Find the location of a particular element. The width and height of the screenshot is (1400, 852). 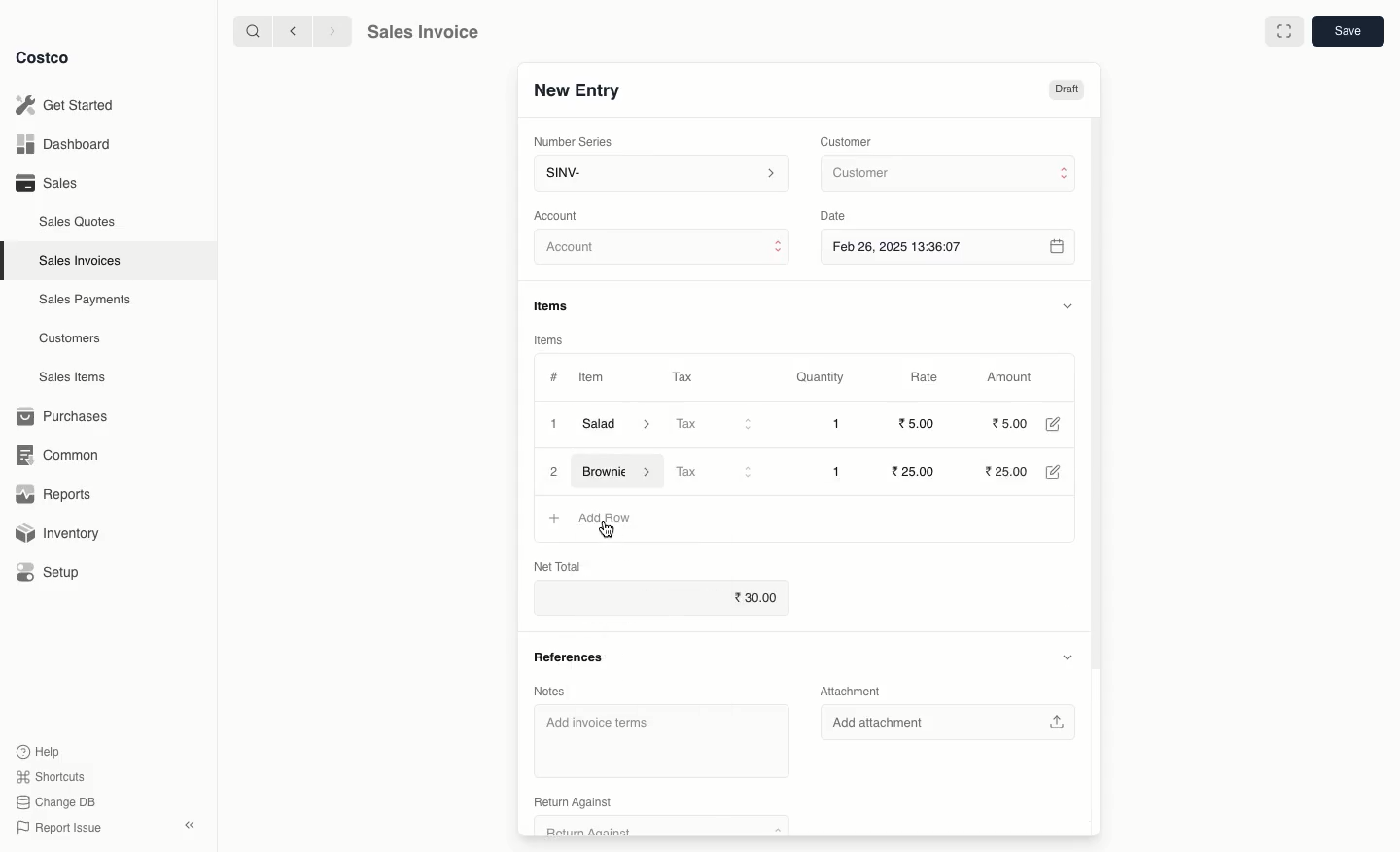

Back is located at coordinates (291, 31).